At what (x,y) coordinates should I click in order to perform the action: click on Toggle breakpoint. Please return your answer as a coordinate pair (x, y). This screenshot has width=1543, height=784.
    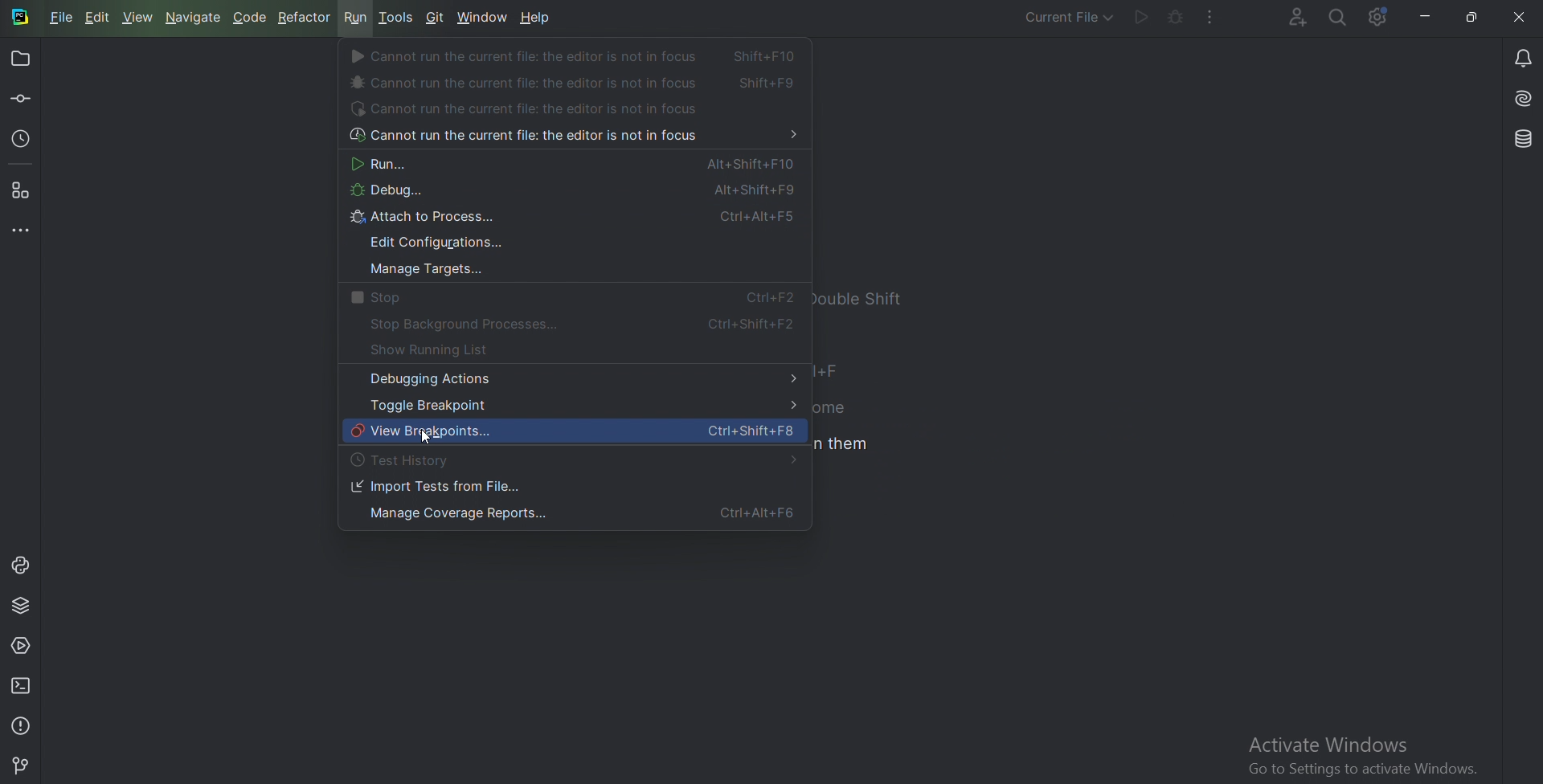
    Looking at the image, I should click on (577, 406).